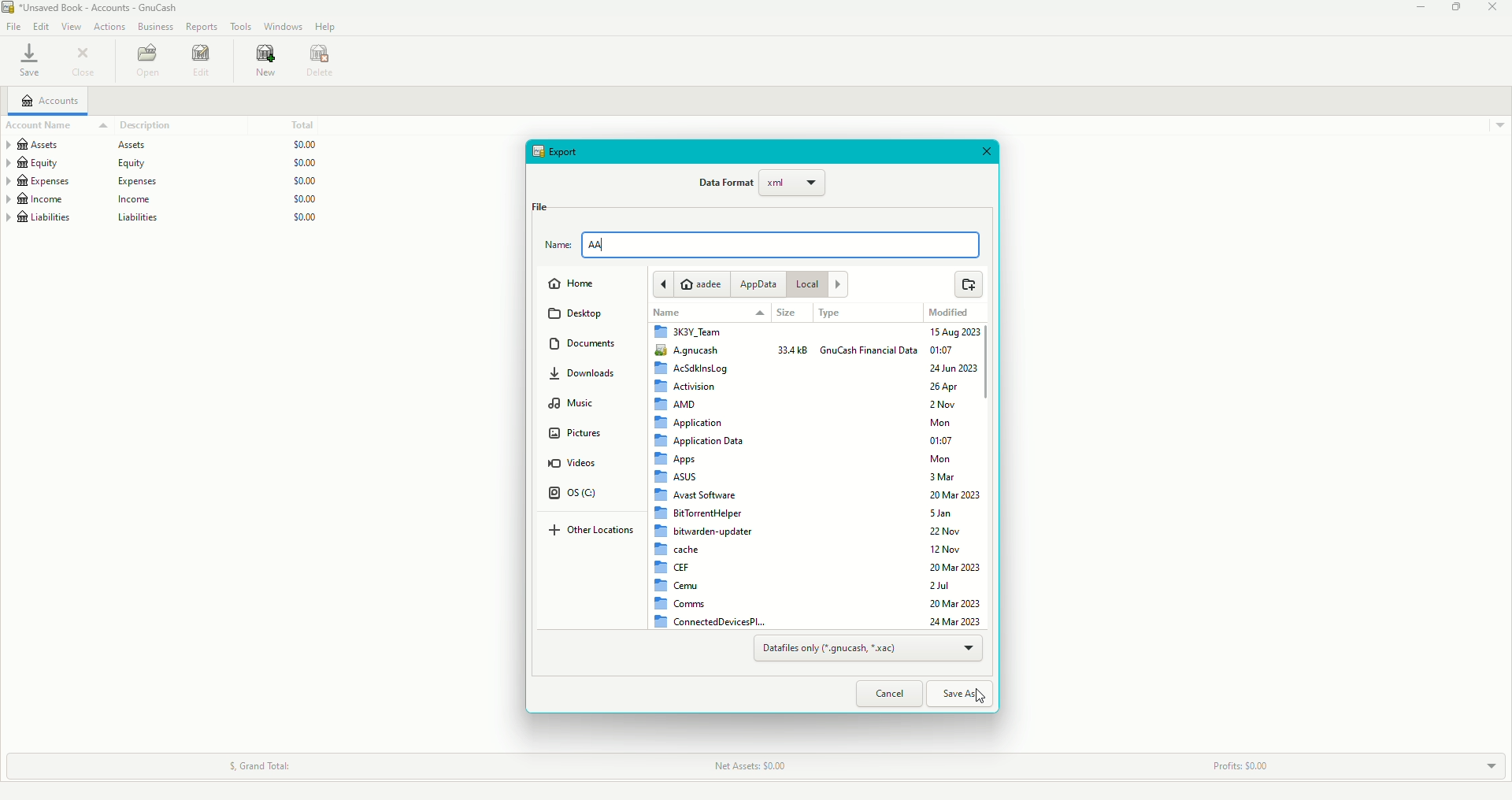 This screenshot has width=1512, height=800. Describe the element at coordinates (967, 285) in the screenshot. I see `Open from file` at that location.